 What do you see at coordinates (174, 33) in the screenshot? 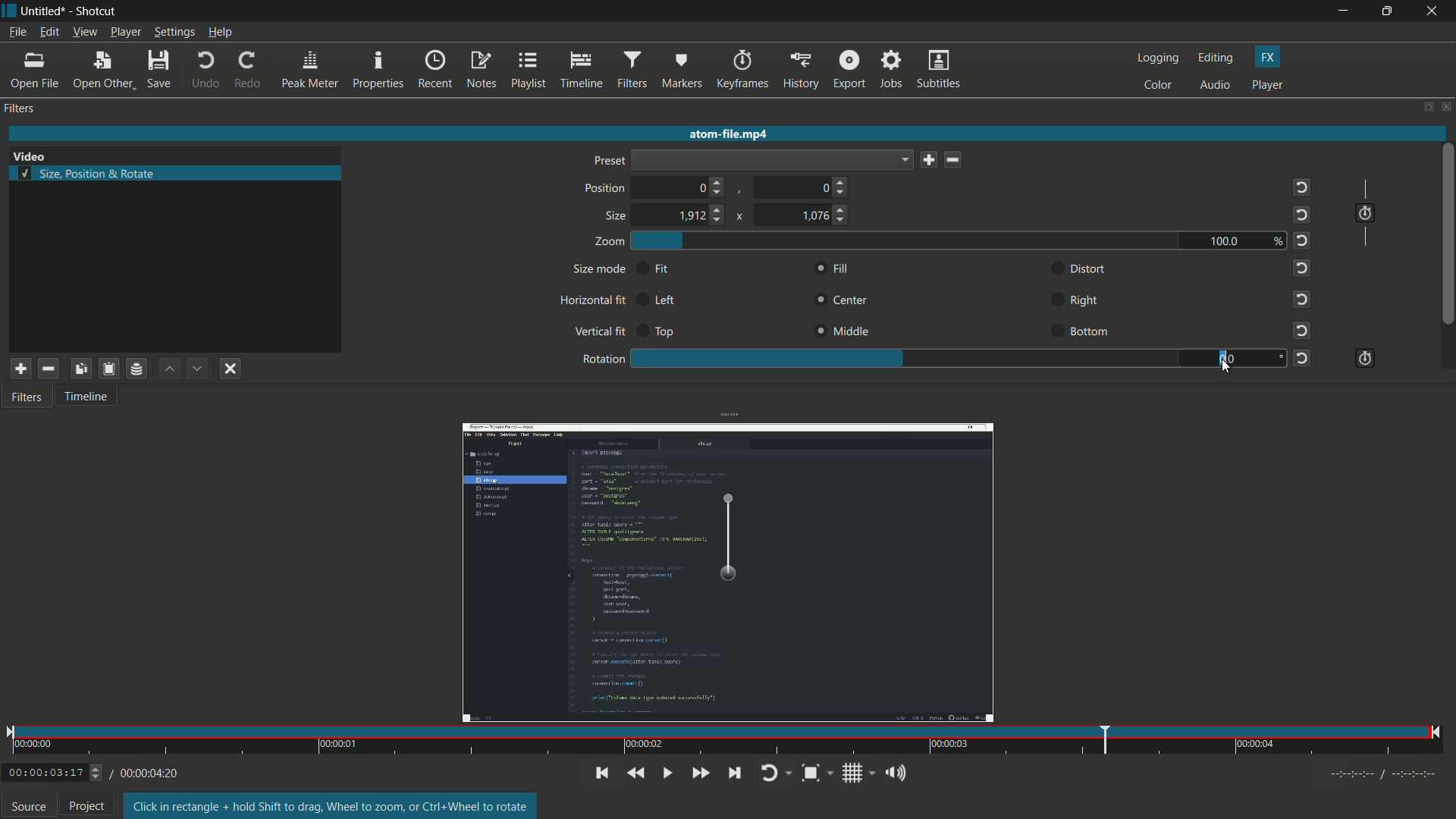
I see `settings menu` at bounding box center [174, 33].